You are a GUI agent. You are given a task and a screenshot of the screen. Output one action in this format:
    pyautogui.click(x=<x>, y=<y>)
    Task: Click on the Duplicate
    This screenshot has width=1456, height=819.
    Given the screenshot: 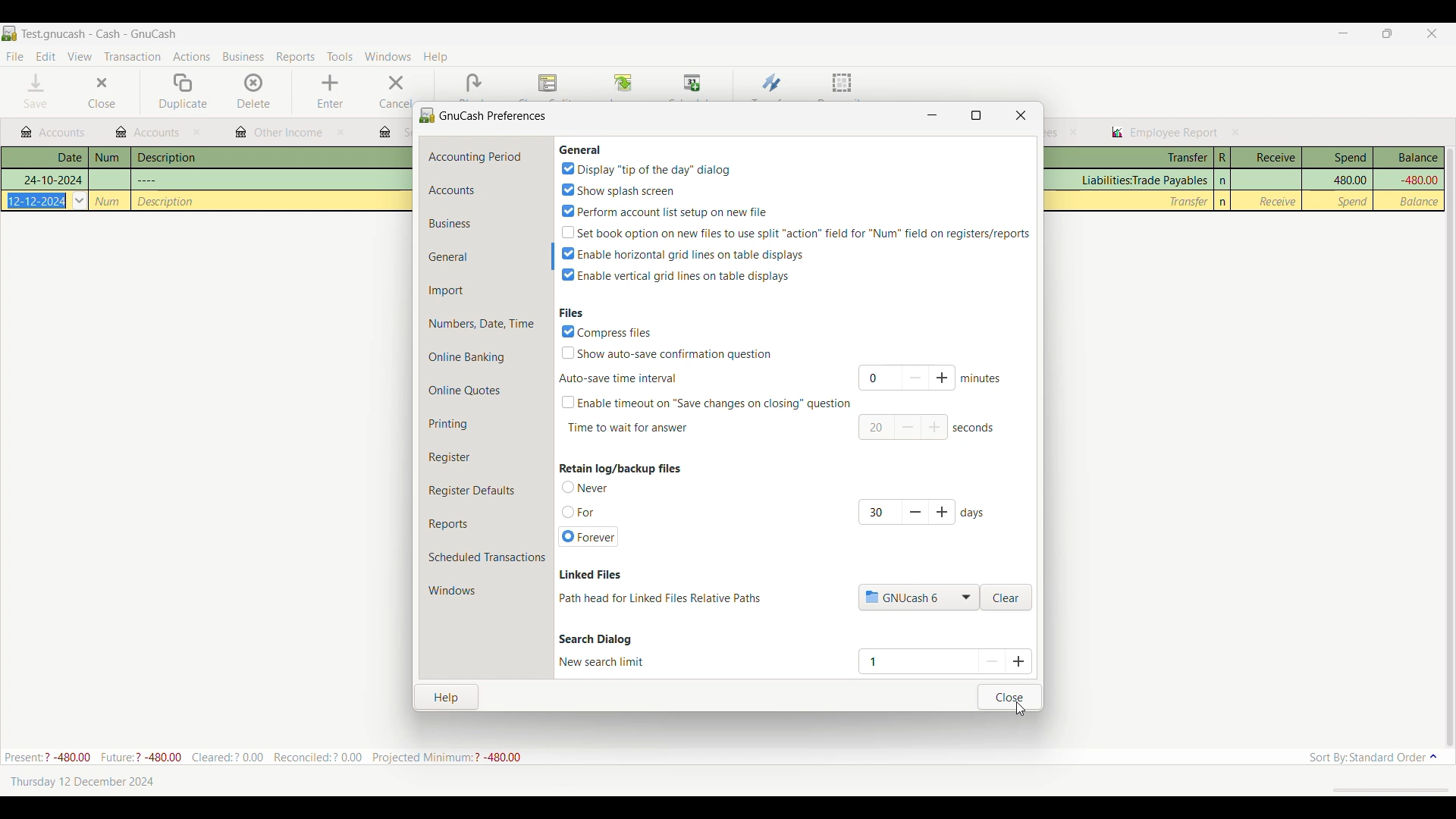 What is the action you would take?
    pyautogui.click(x=183, y=92)
    